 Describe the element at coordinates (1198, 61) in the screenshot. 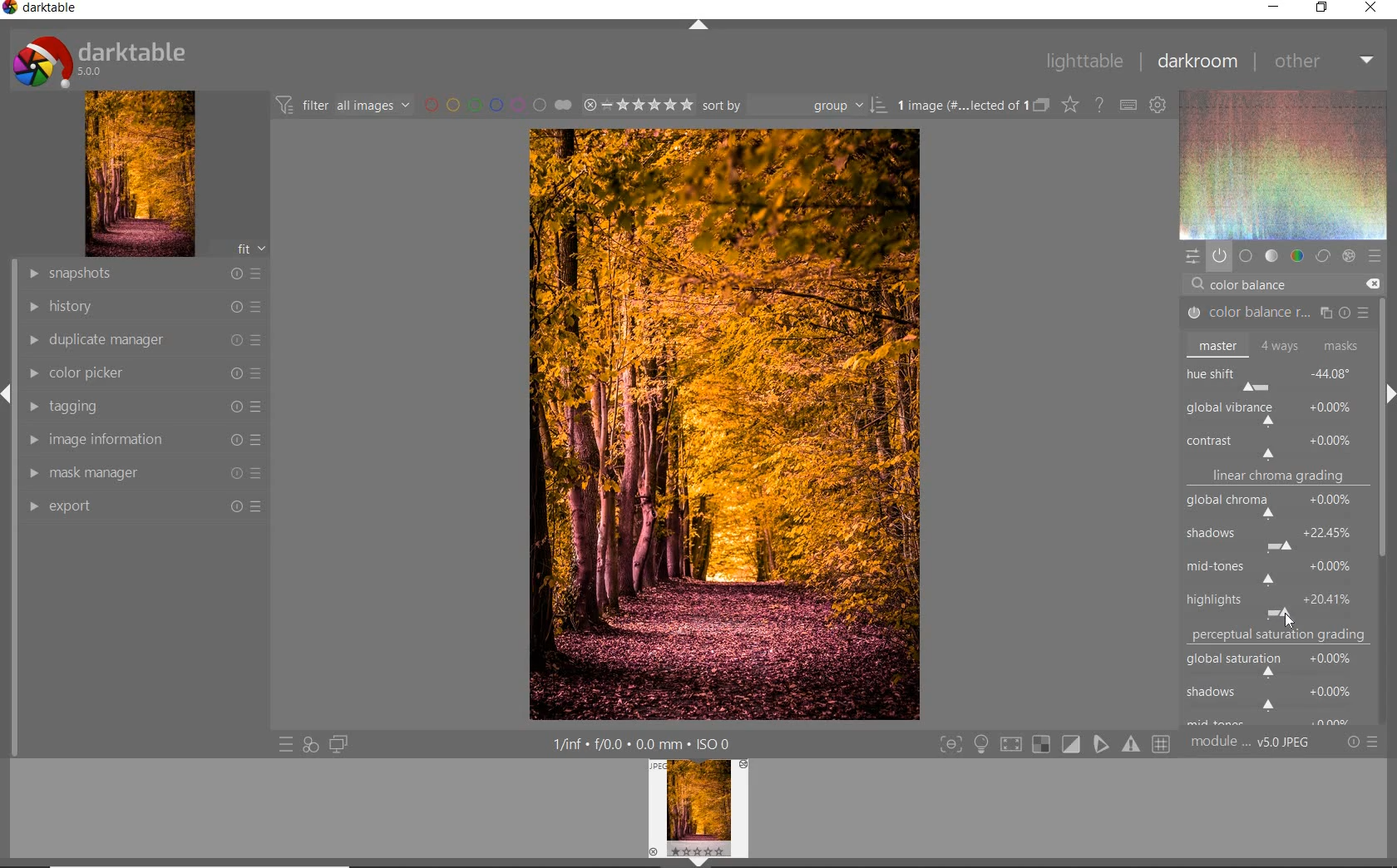

I see `darkroom` at that location.